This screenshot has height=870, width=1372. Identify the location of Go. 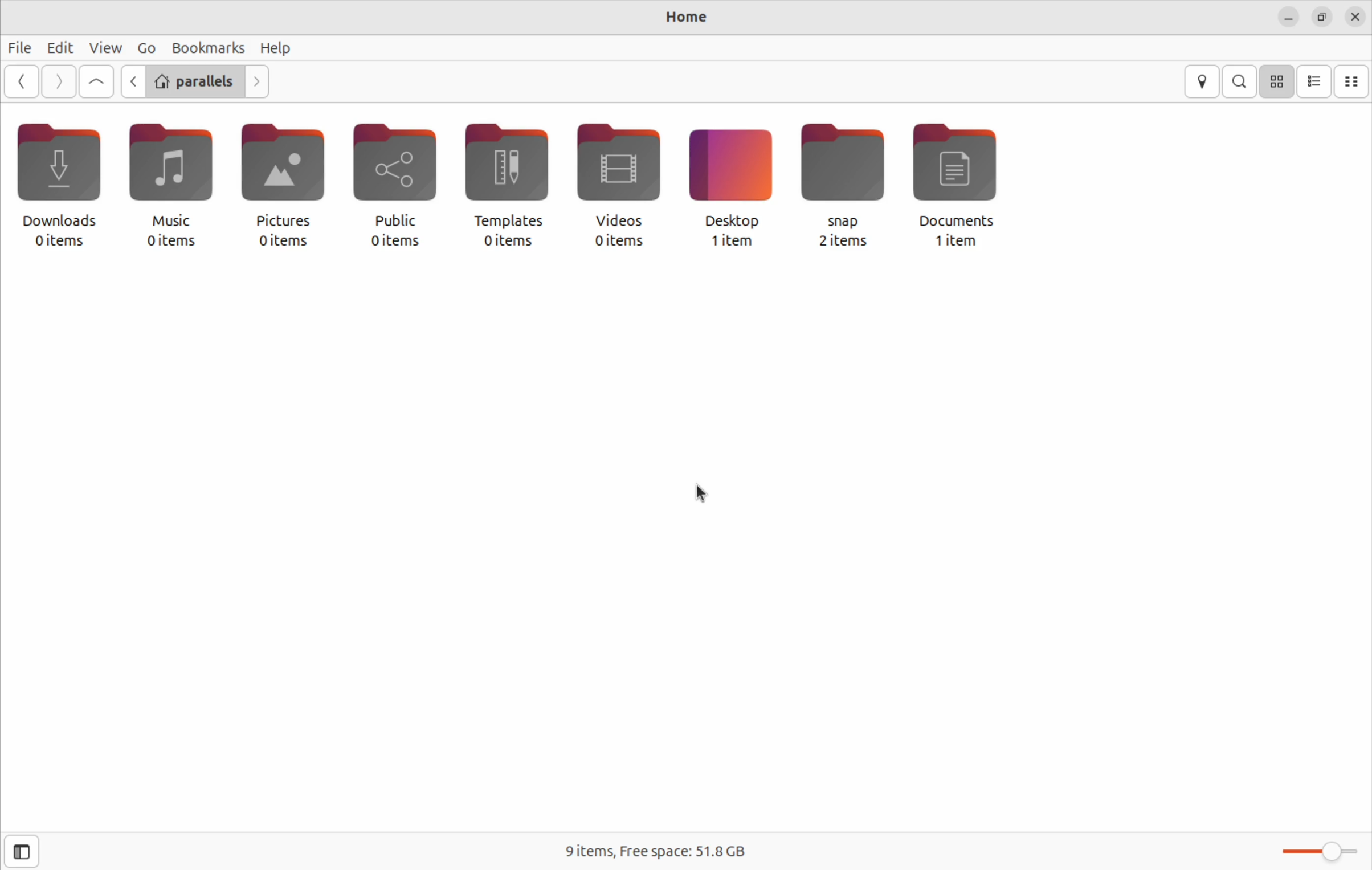
(146, 47).